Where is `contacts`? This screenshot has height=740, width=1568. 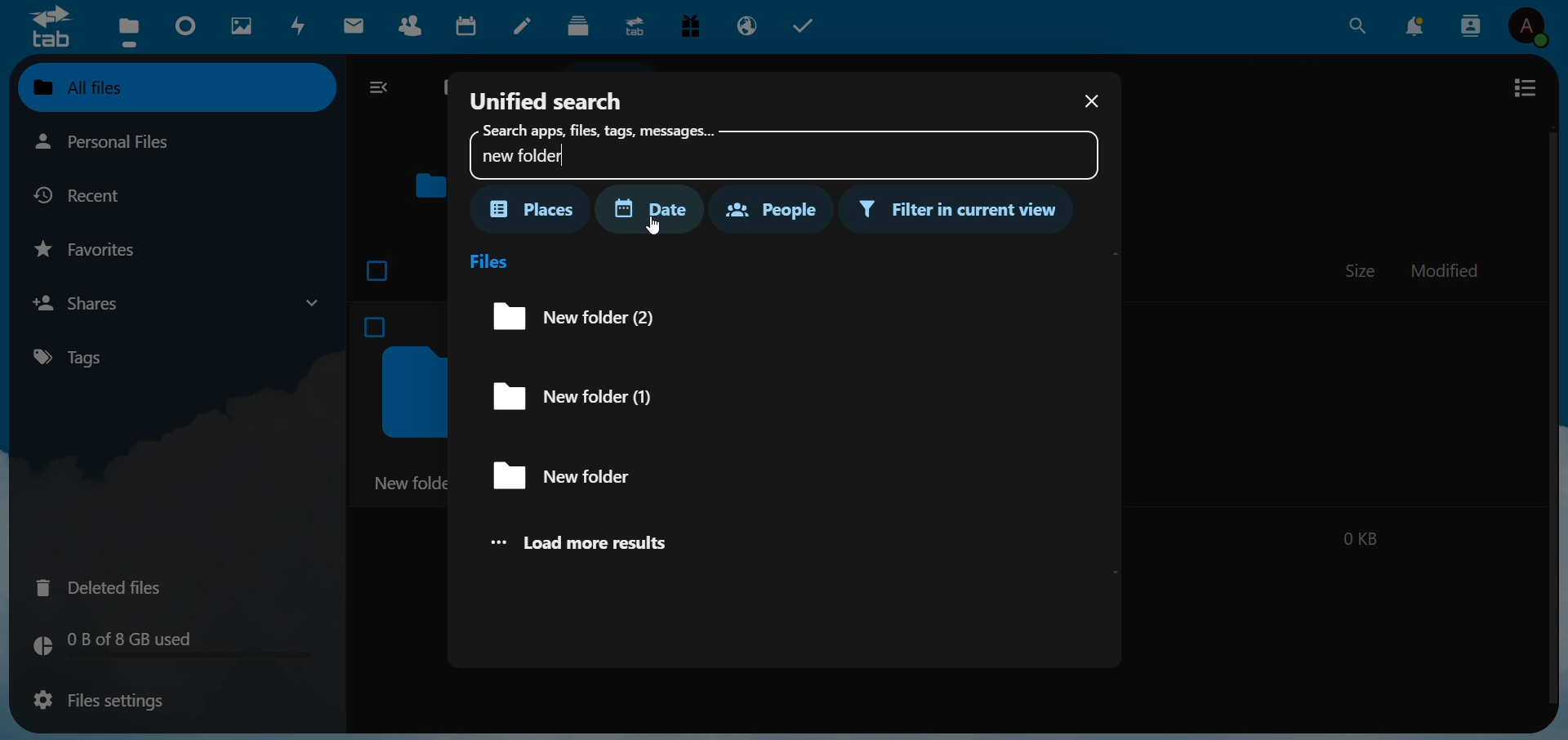 contacts is located at coordinates (415, 29).